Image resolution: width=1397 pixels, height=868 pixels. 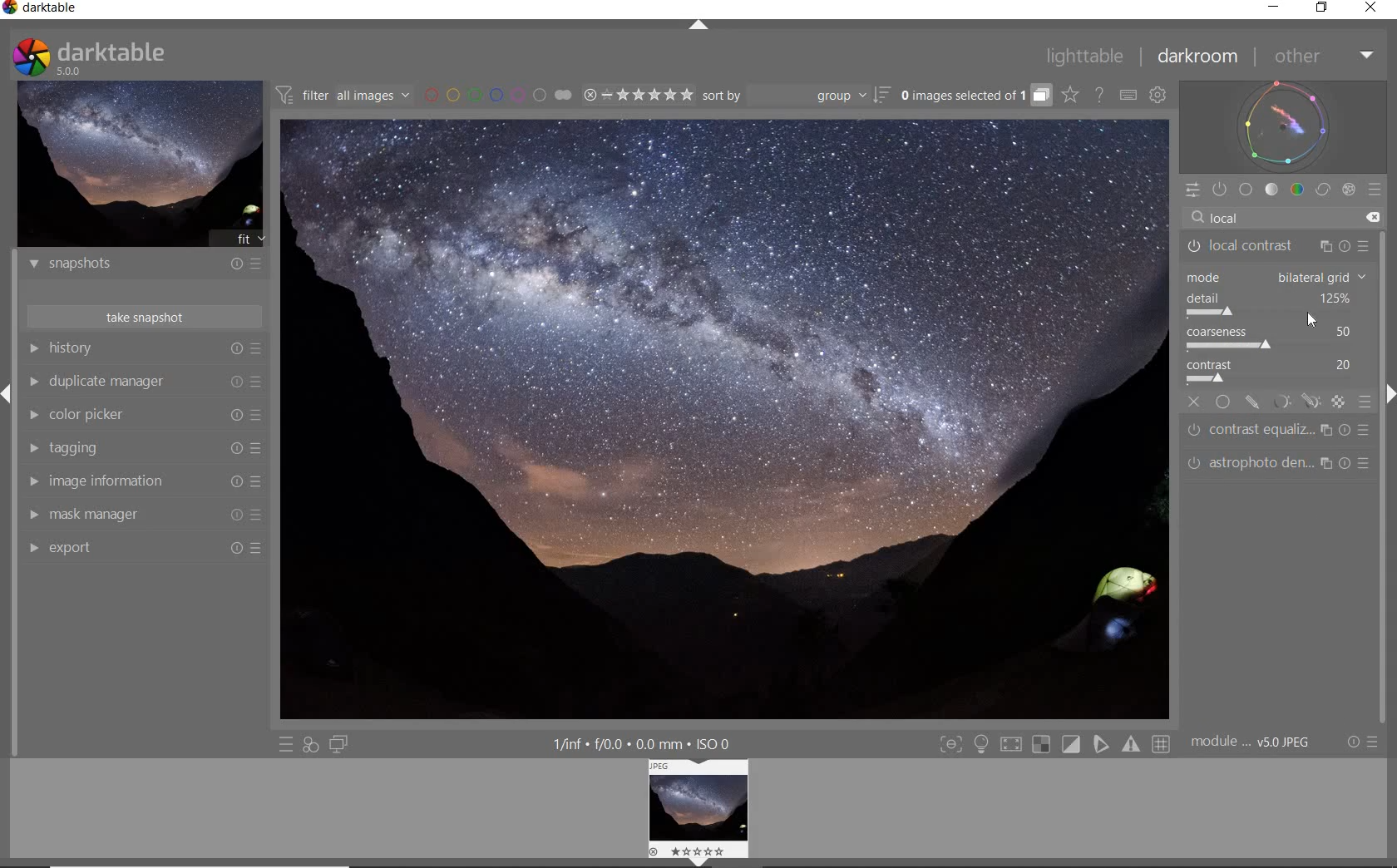 I want to click on toggle guide lines, so click(x=1164, y=744).